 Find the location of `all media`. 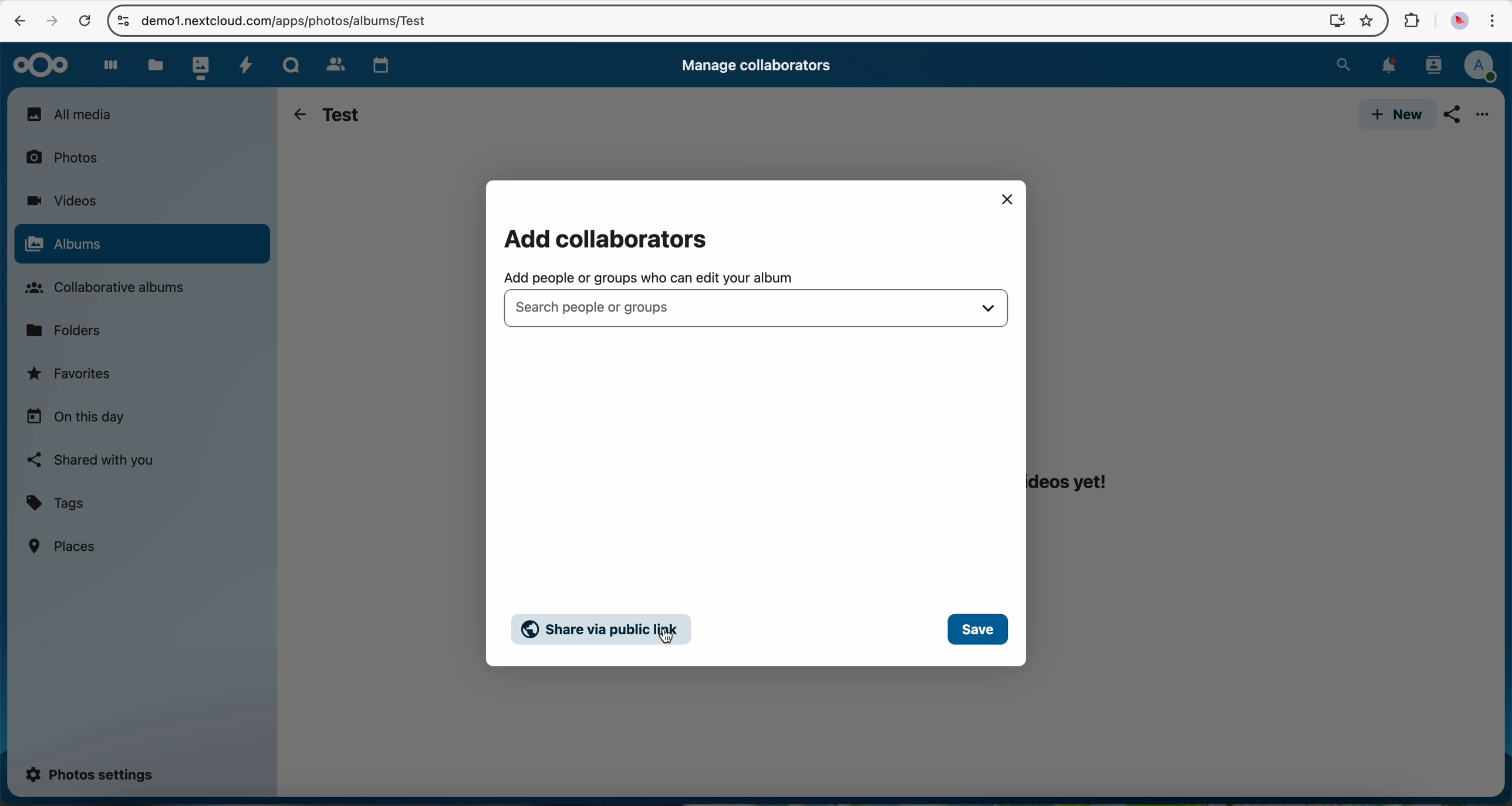

all media is located at coordinates (141, 114).